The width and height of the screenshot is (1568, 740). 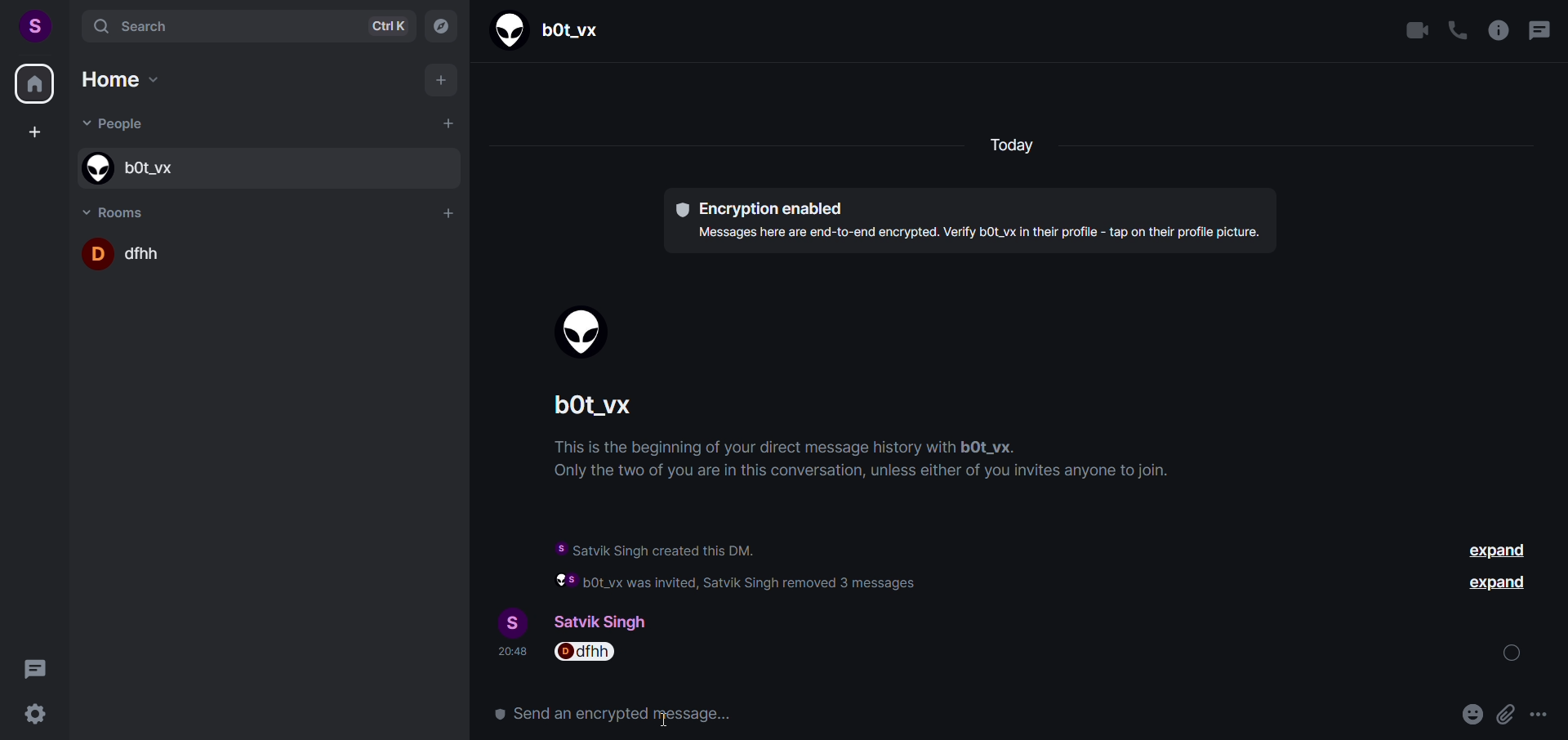 I want to click on today, so click(x=1014, y=147).